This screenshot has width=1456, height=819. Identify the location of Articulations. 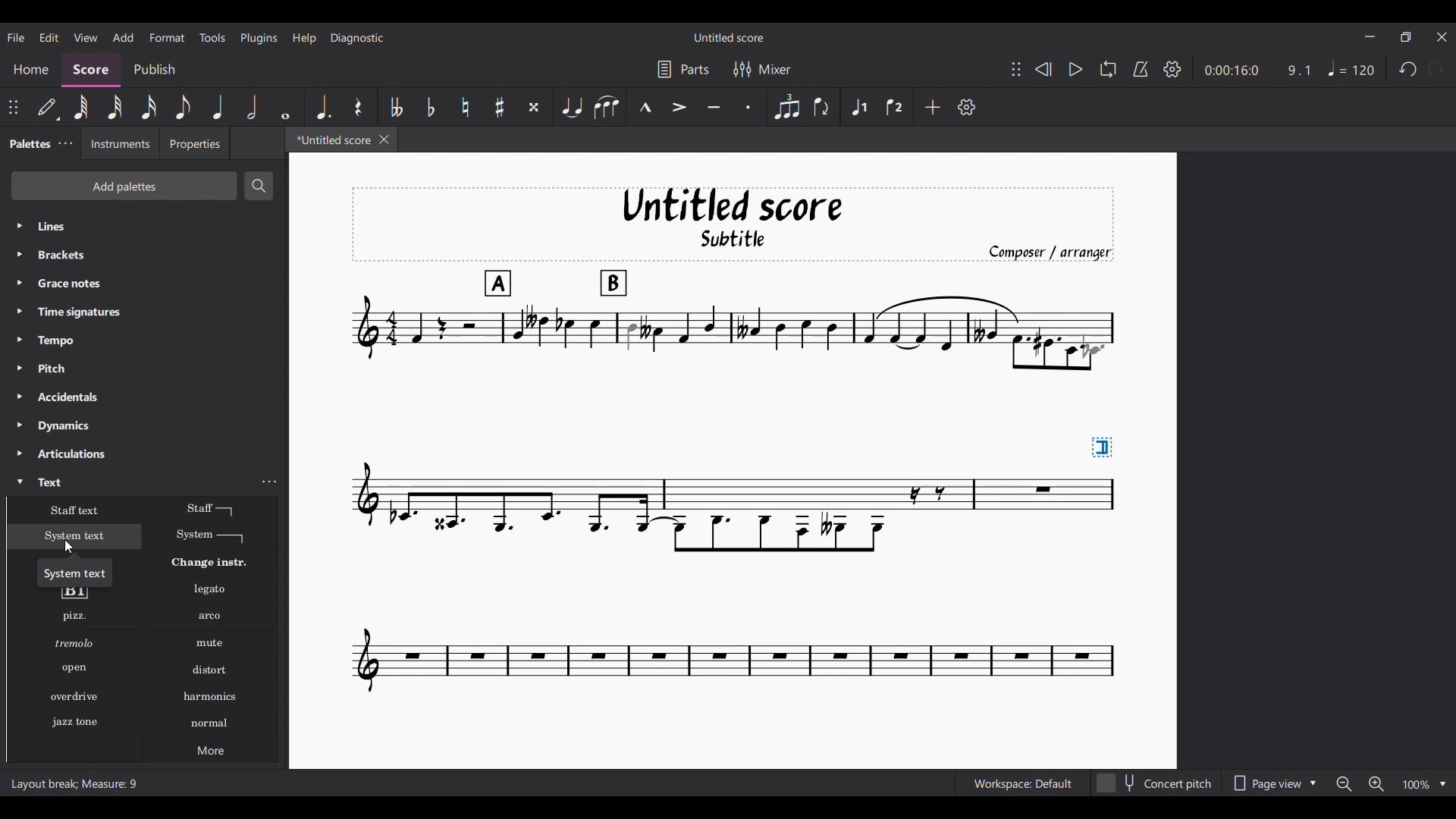
(145, 453).